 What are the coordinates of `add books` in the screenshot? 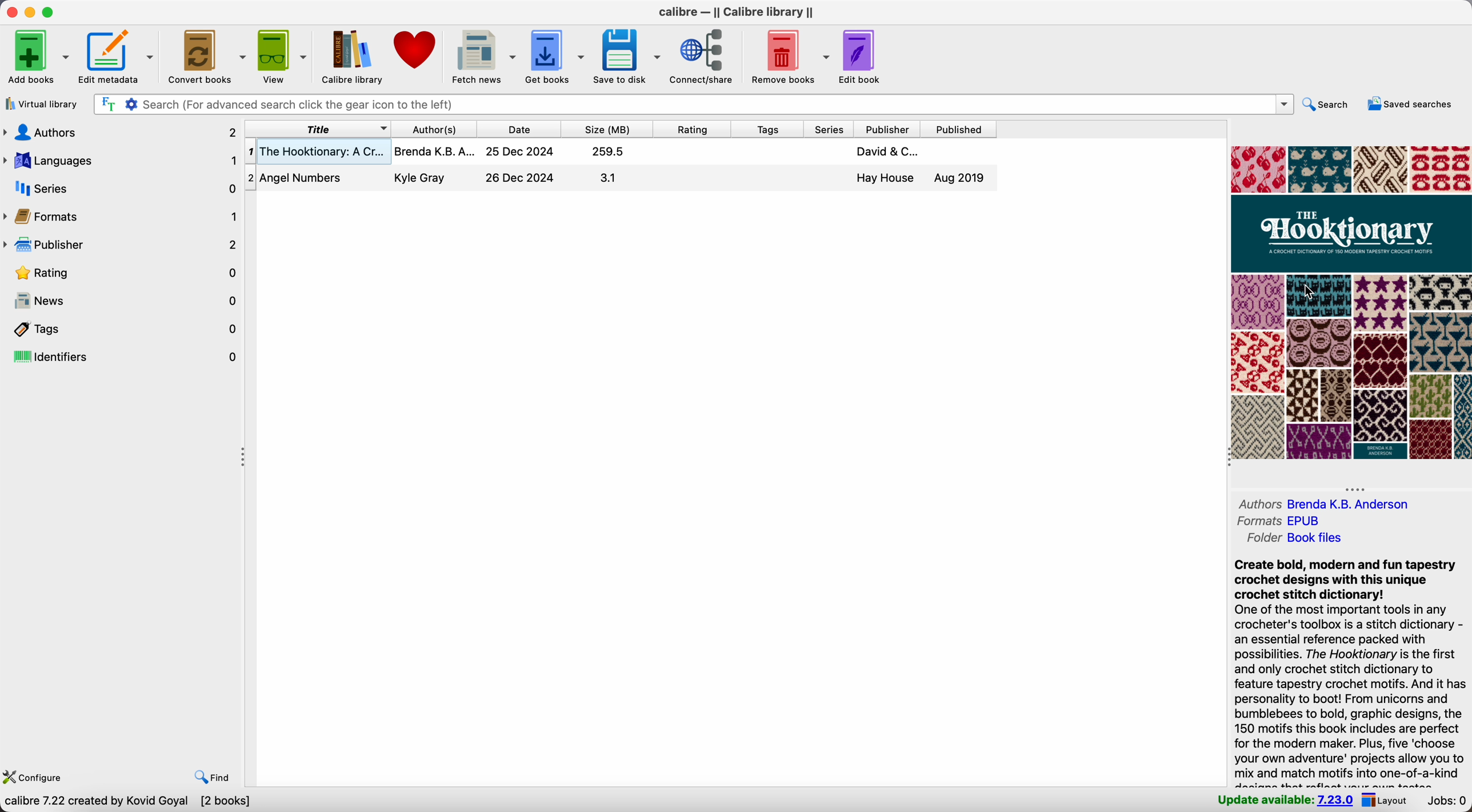 It's located at (38, 58).